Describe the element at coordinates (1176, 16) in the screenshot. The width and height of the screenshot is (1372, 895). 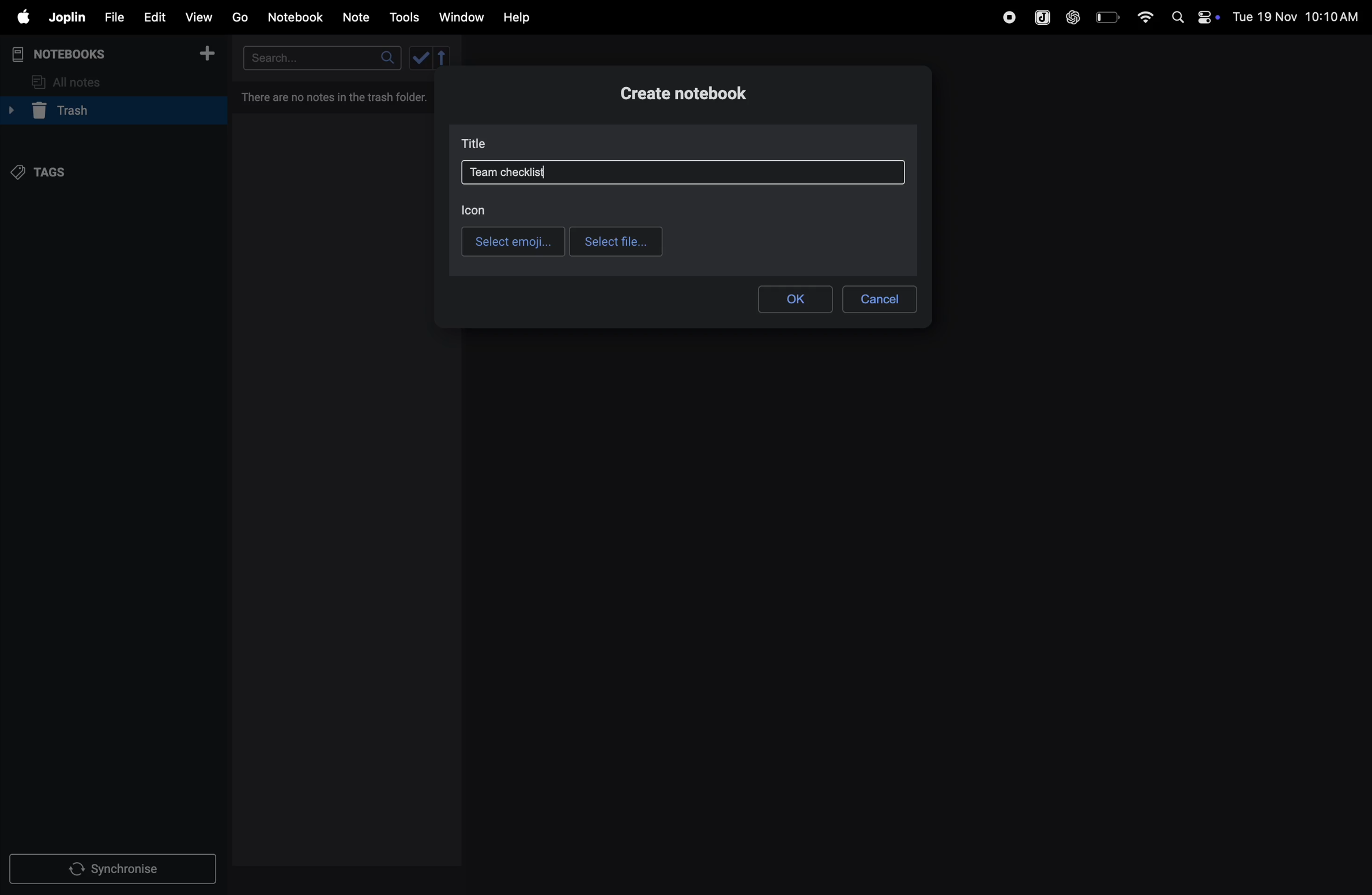
I see `search` at that location.